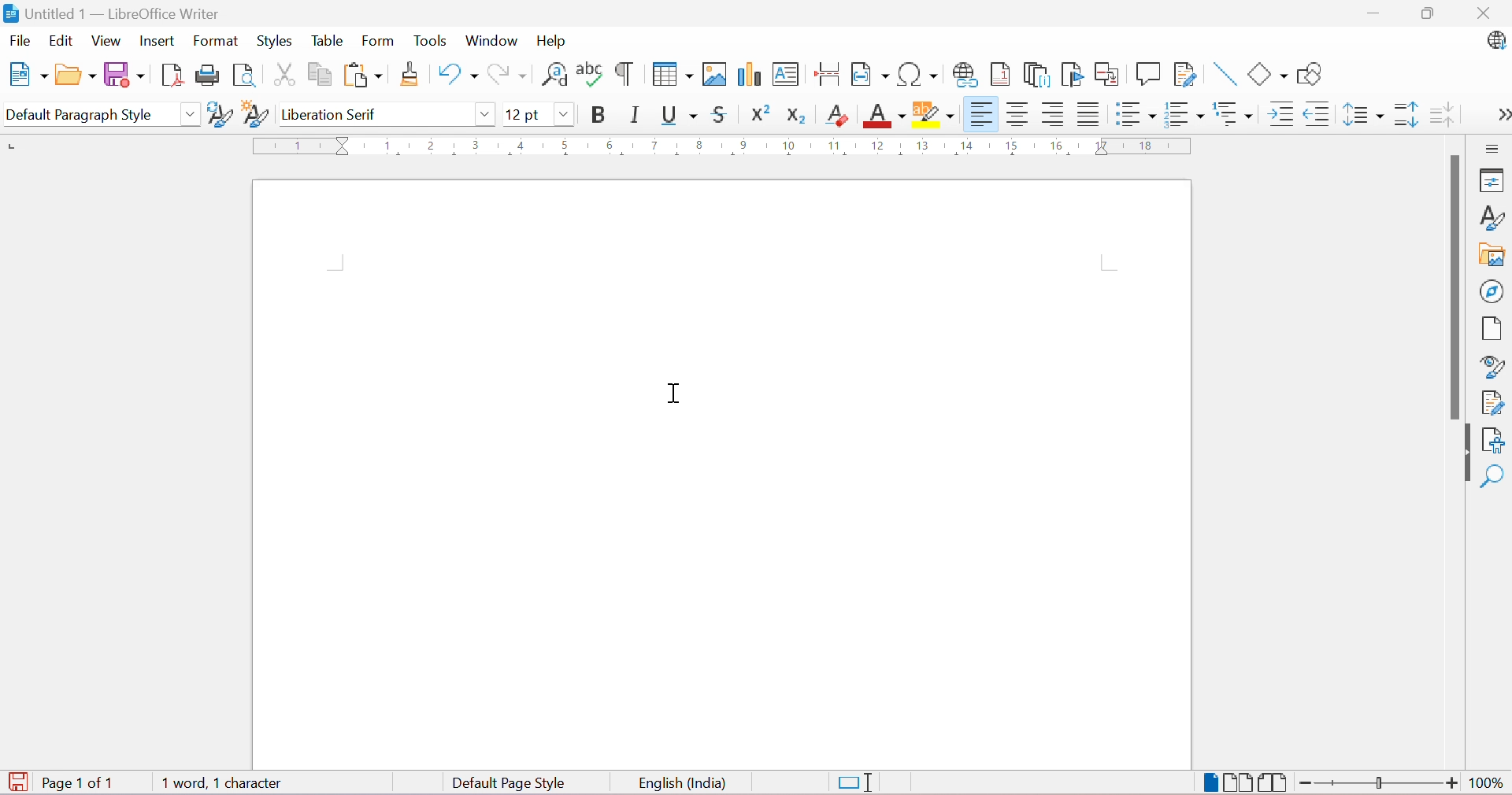  What do you see at coordinates (1488, 368) in the screenshot?
I see `Style Inspector` at bounding box center [1488, 368].